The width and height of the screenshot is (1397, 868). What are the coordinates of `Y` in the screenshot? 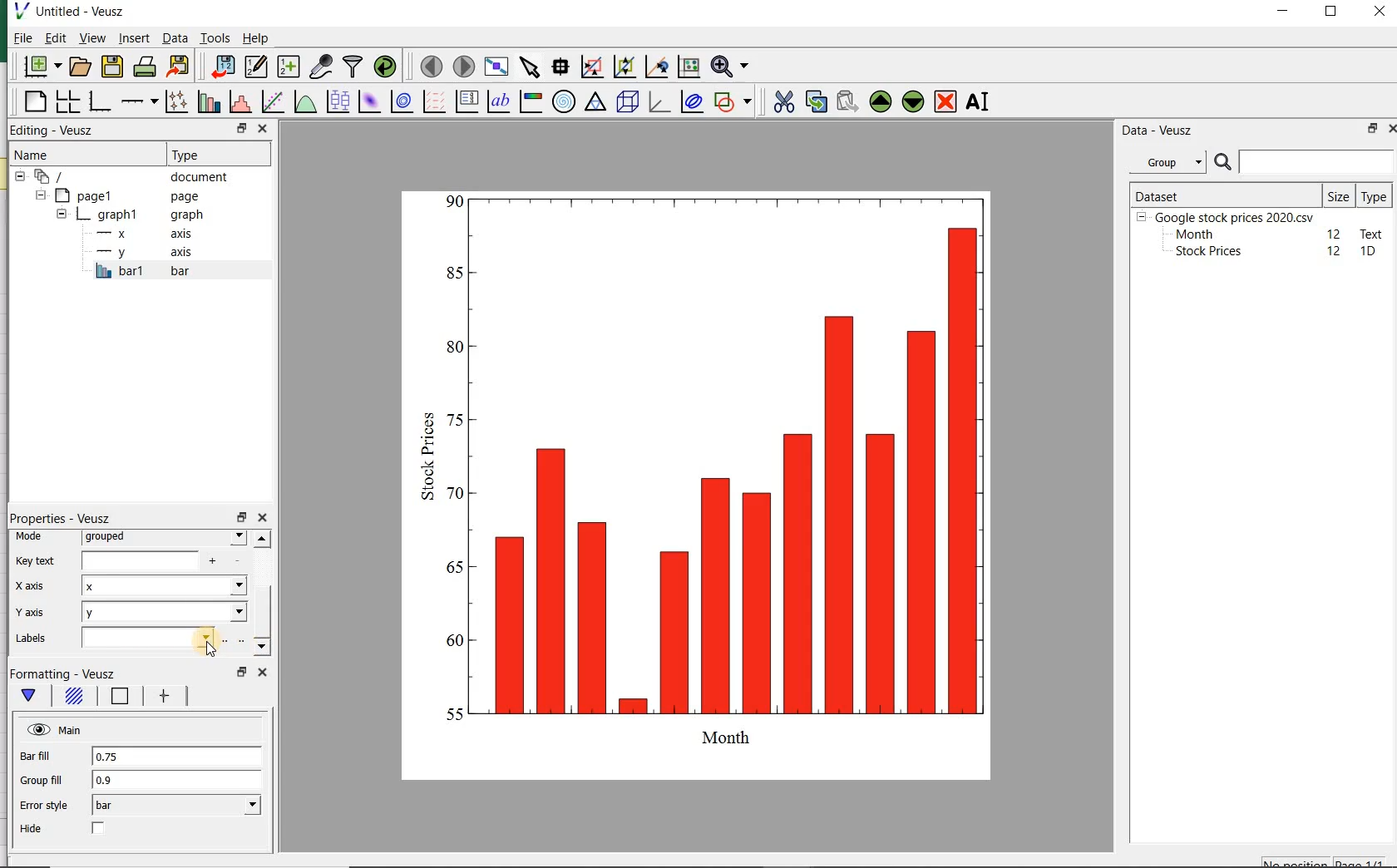 It's located at (165, 611).